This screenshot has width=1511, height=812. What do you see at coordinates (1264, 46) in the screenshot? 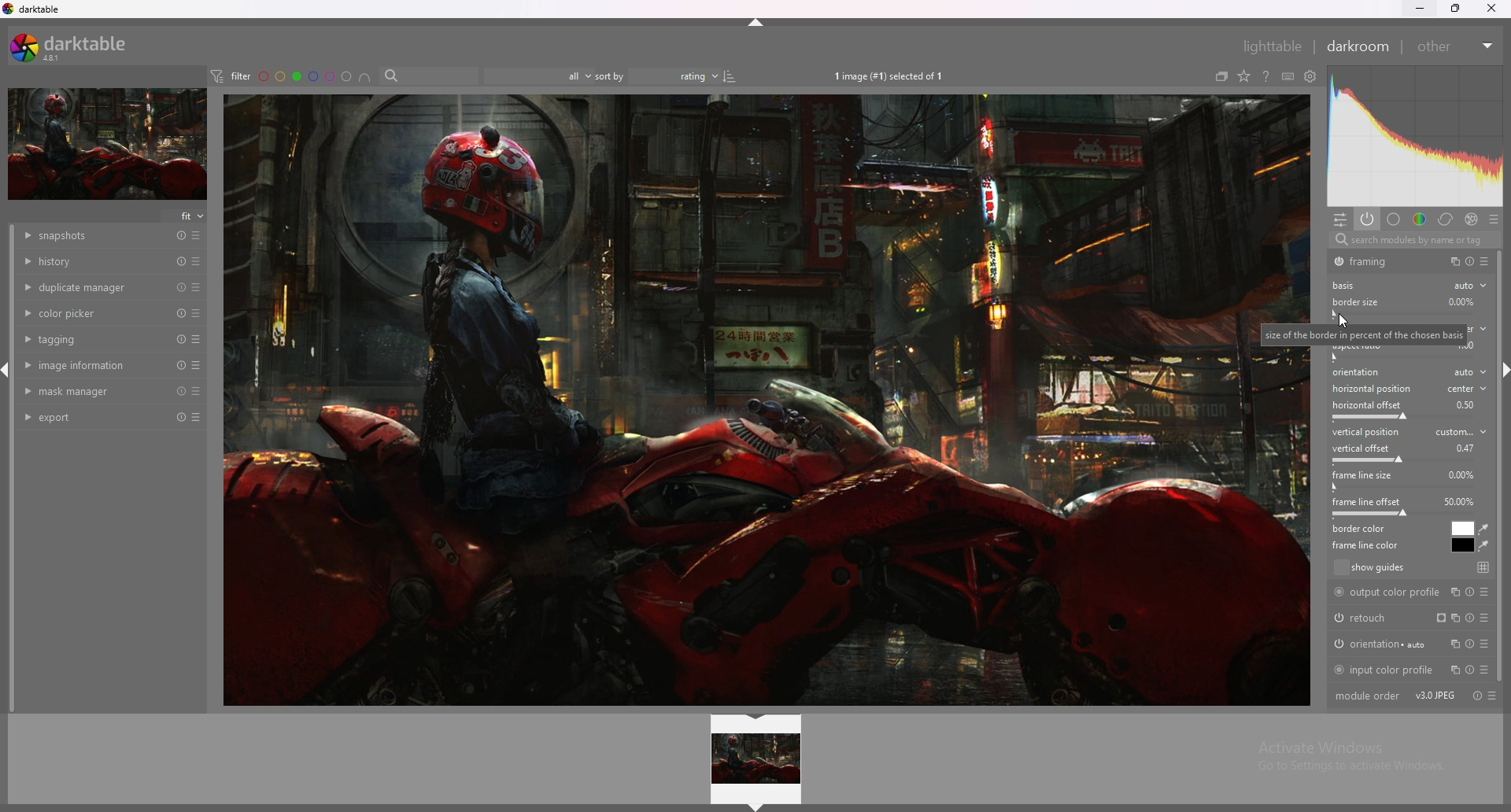
I see `lighttable` at bounding box center [1264, 46].